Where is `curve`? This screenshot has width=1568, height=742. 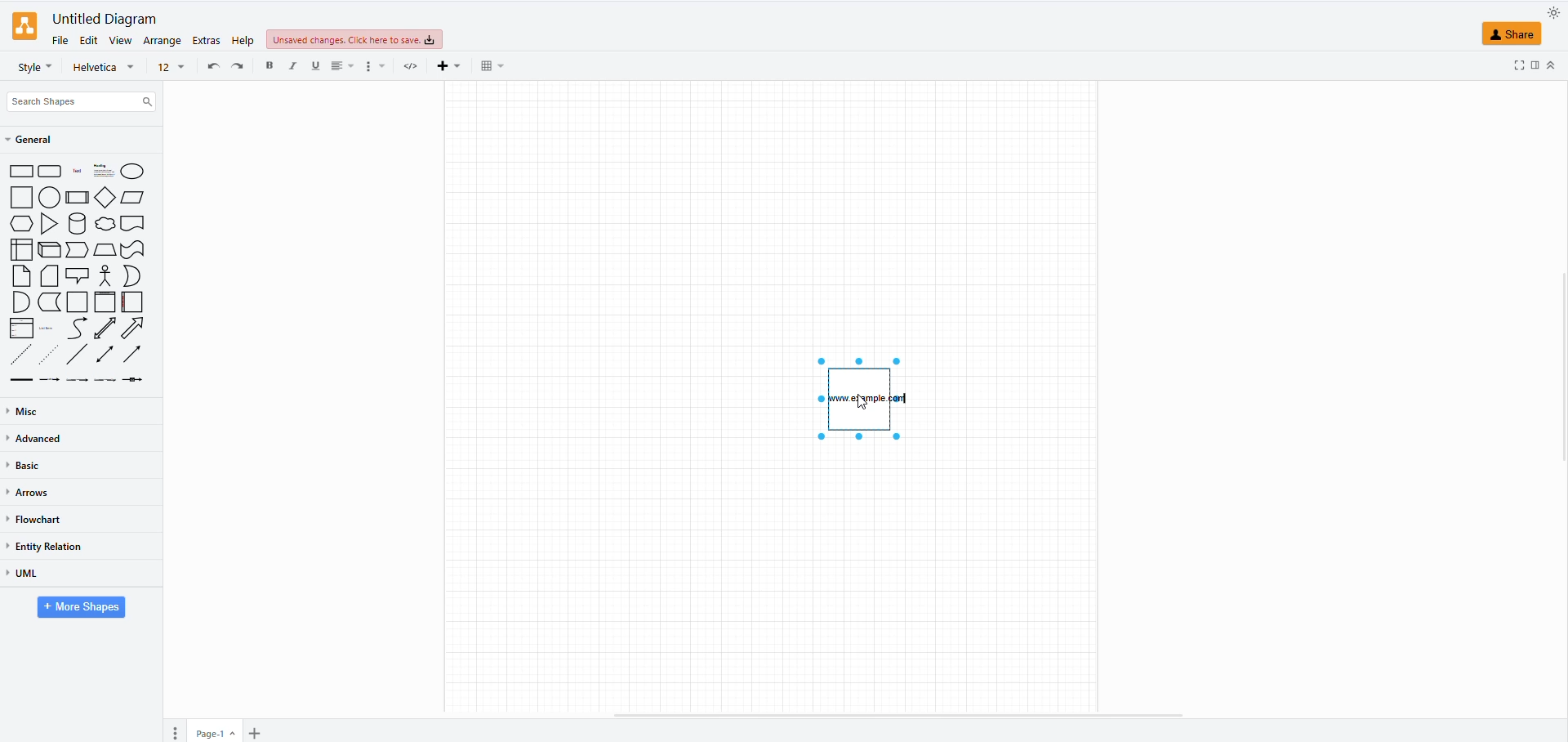 curve is located at coordinates (78, 328).